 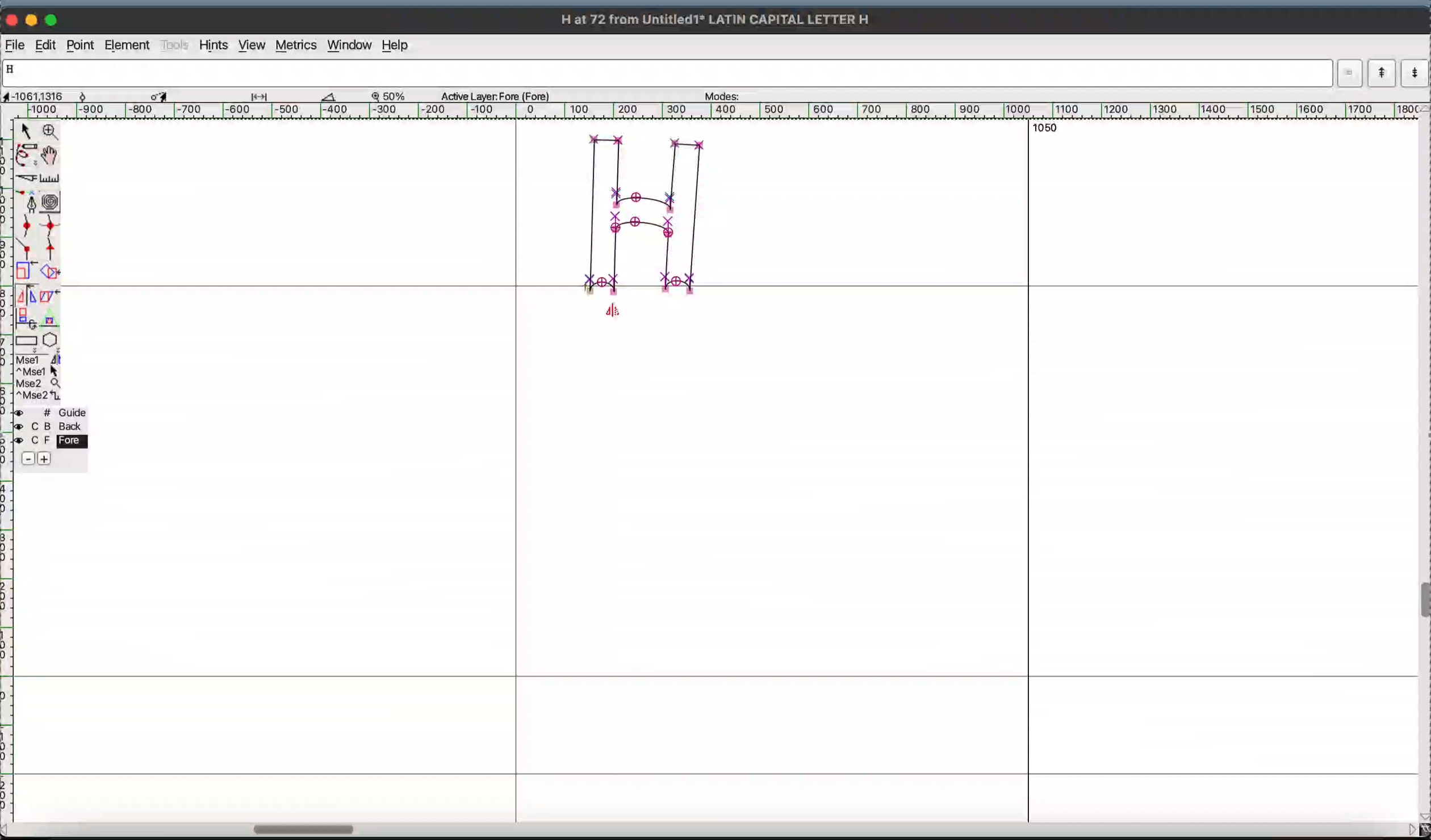 What do you see at coordinates (651, 221) in the screenshot?
I see `glyph "H" mirrored` at bounding box center [651, 221].